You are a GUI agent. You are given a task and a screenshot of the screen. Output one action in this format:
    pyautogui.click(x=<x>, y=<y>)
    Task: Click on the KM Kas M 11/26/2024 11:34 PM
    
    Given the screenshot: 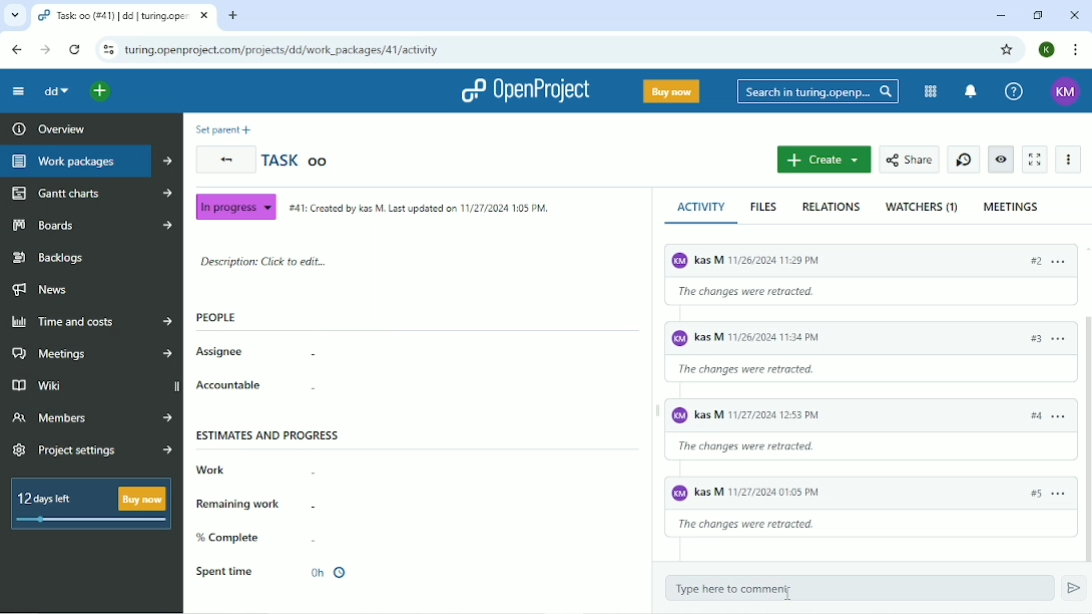 What is the action you would take?
    pyautogui.click(x=785, y=336)
    